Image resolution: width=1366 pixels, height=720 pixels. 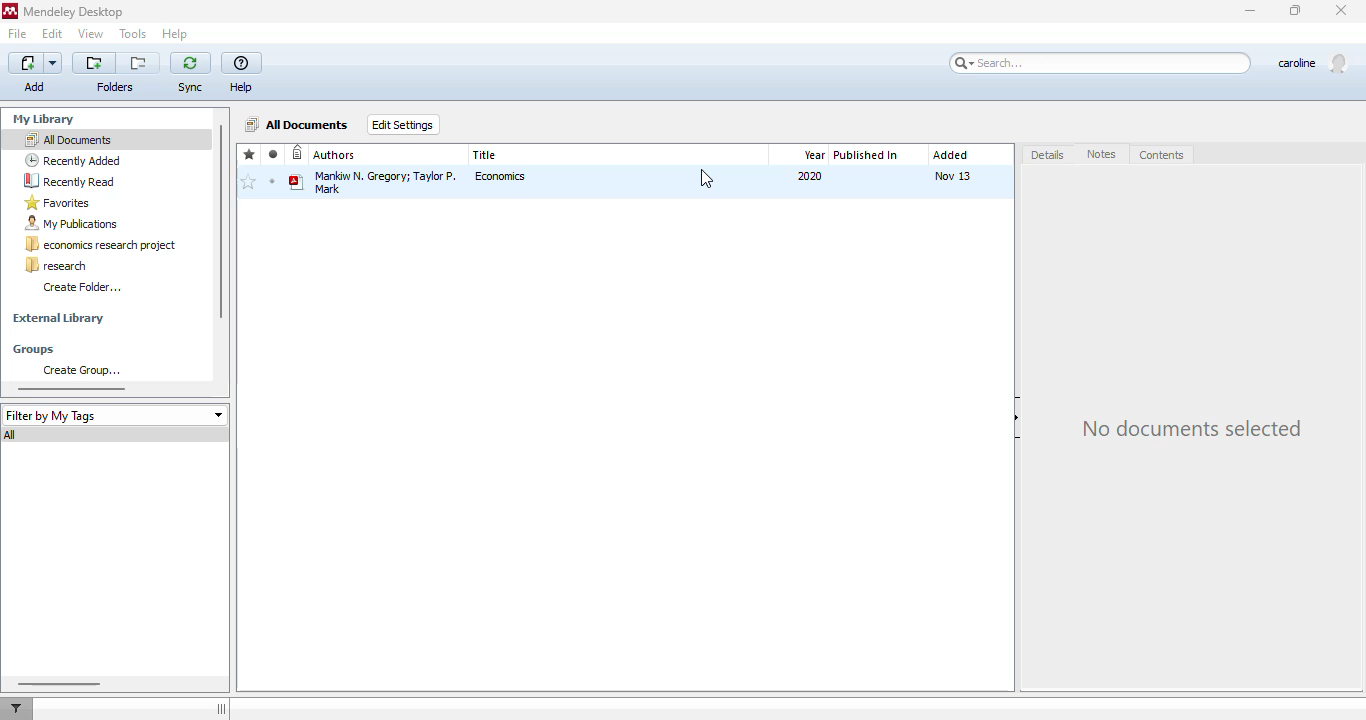 What do you see at coordinates (1190, 429) in the screenshot?
I see `no documents selected` at bounding box center [1190, 429].